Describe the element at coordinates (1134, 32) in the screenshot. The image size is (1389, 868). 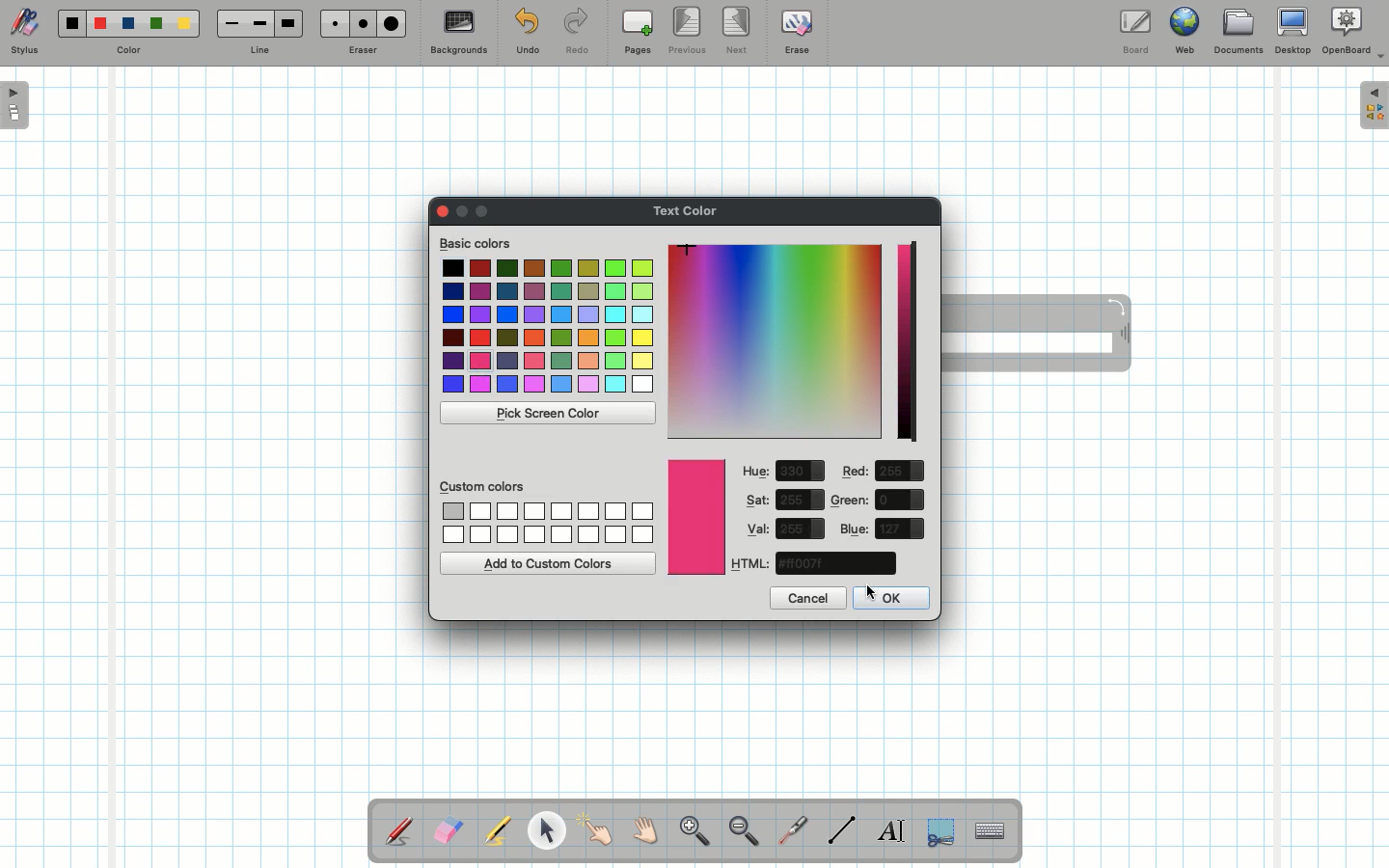
I see `Board` at that location.